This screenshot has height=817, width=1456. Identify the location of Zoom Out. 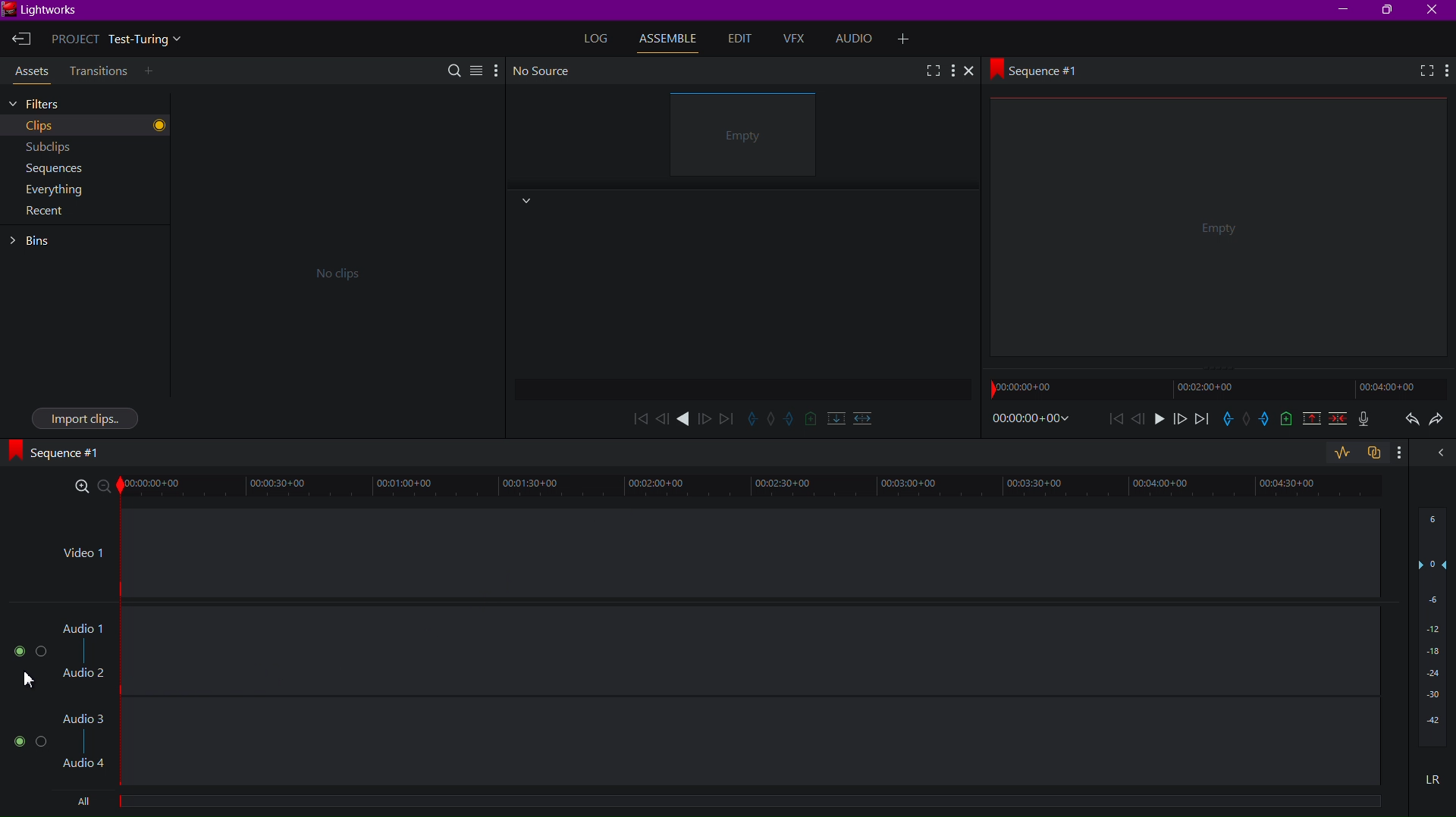
(110, 488).